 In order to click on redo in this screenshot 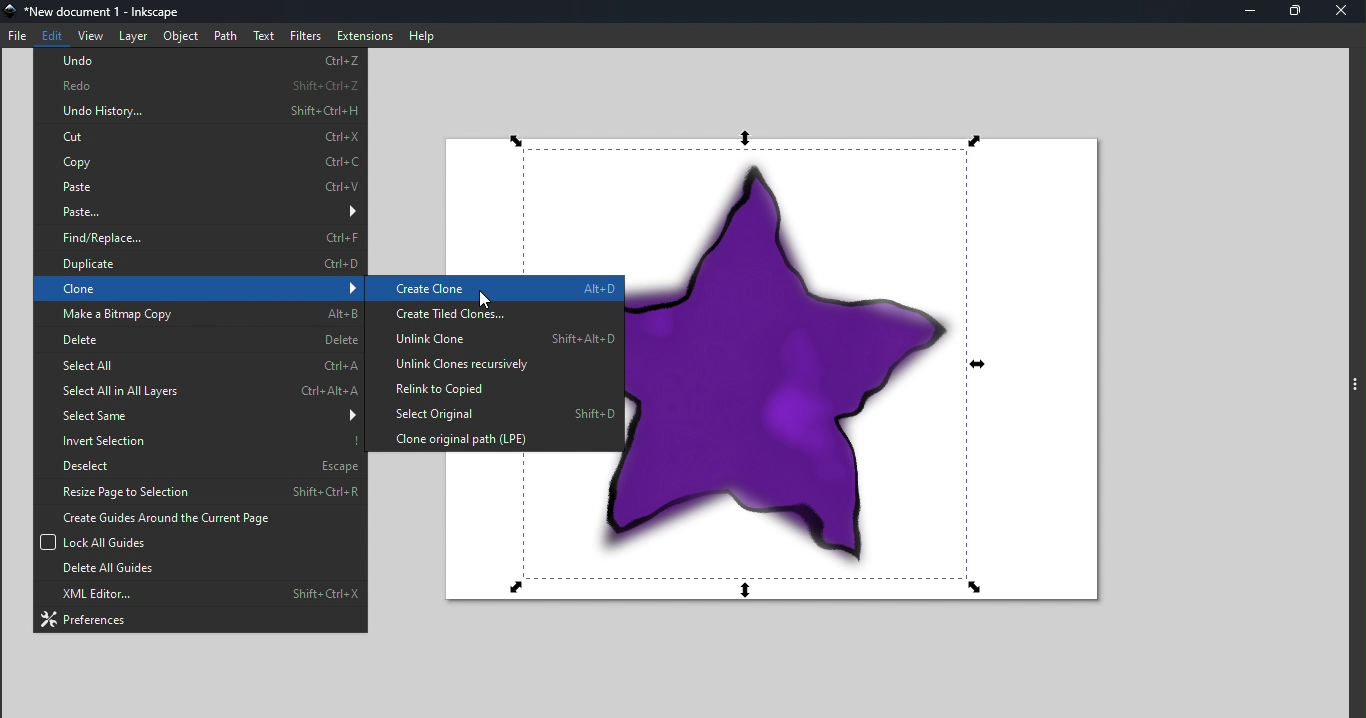, I will do `click(201, 83)`.